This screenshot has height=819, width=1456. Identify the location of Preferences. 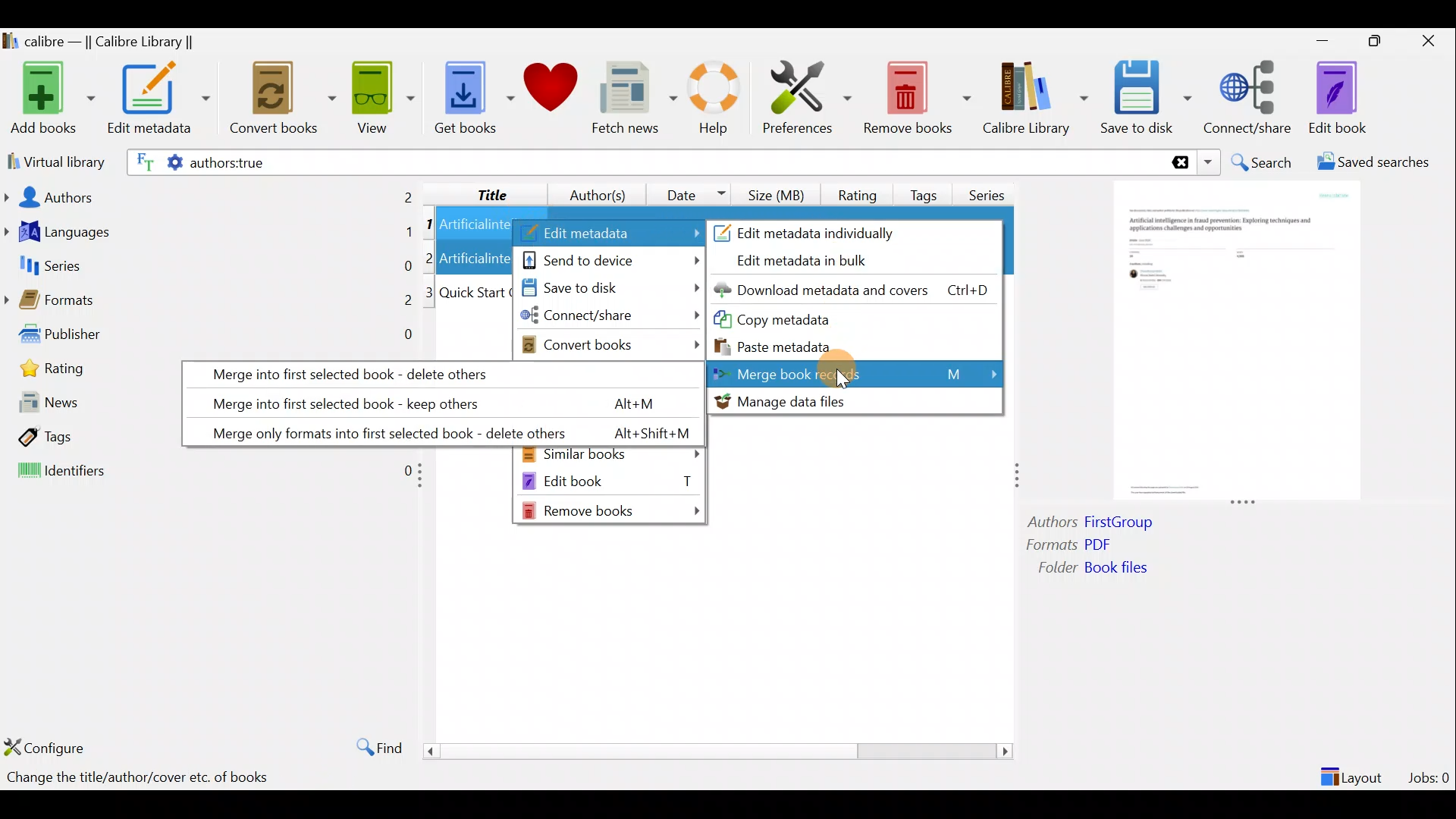
(807, 96).